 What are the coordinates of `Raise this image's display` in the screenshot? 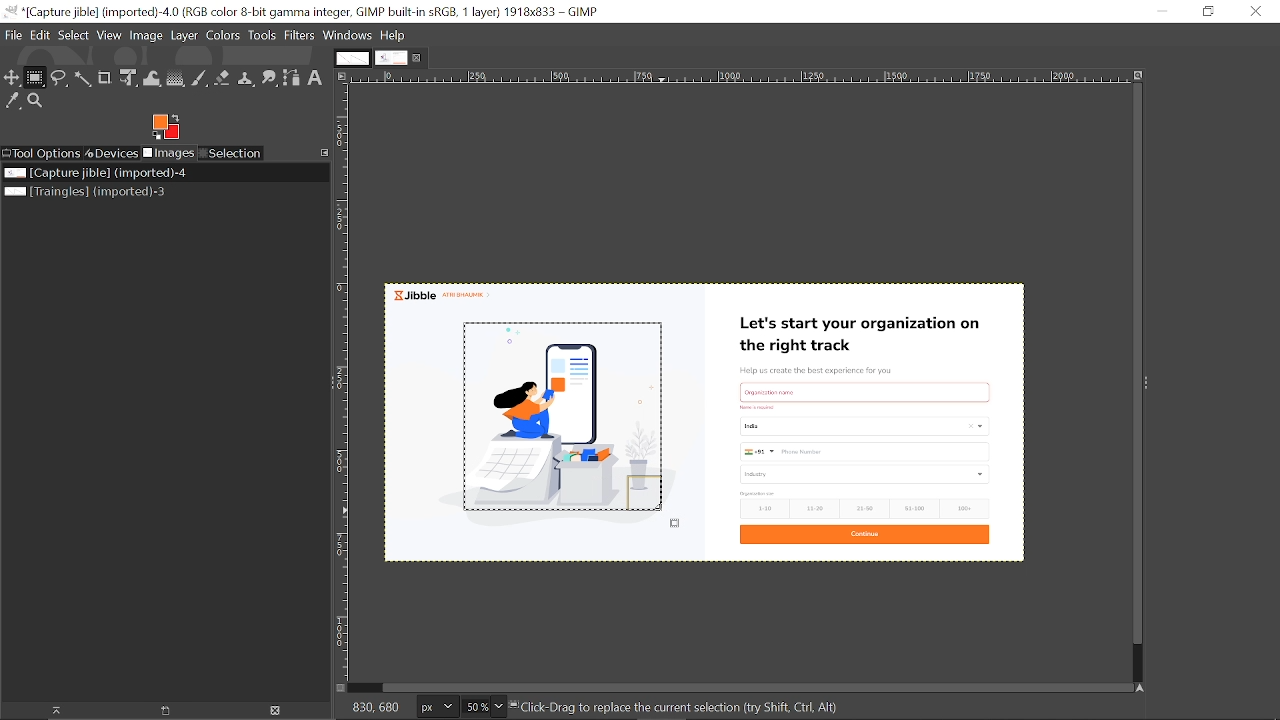 It's located at (58, 711).